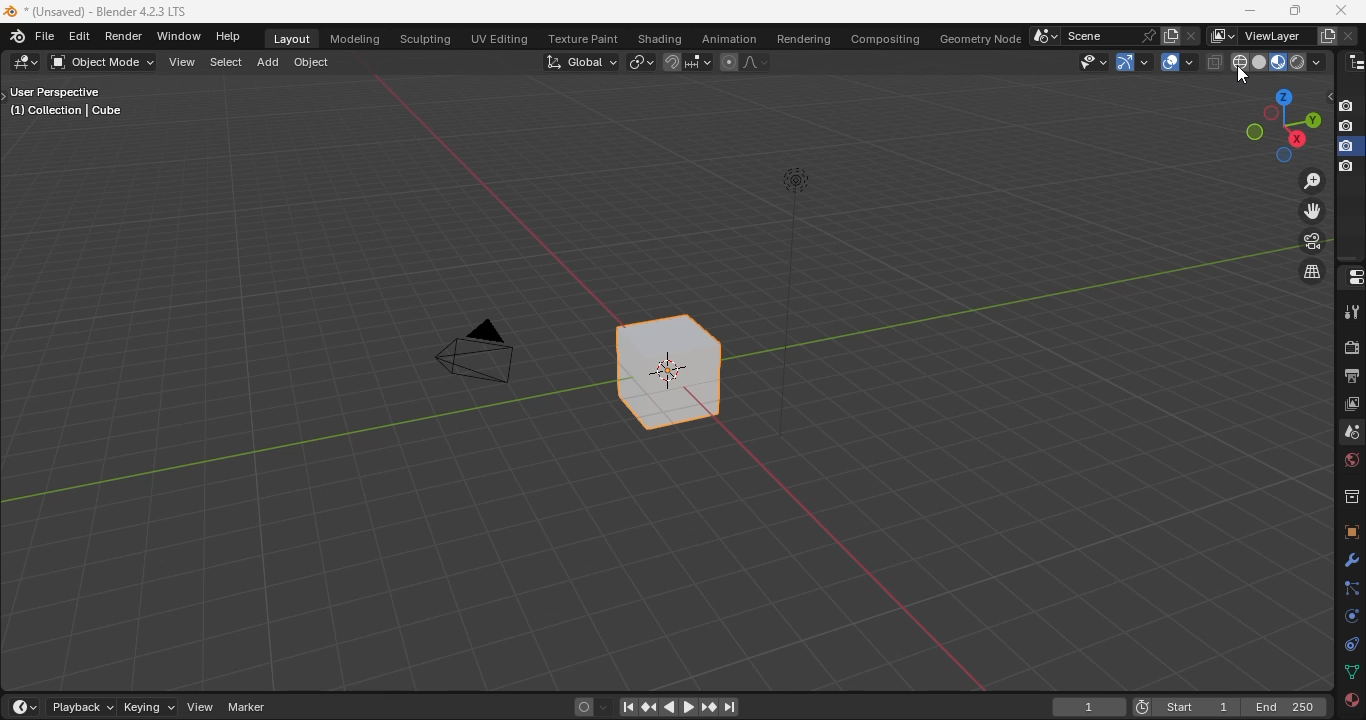 The width and height of the screenshot is (1366, 720). Describe the element at coordinates (1271, 35) in the screenshot. I see `view layer ` at that location.